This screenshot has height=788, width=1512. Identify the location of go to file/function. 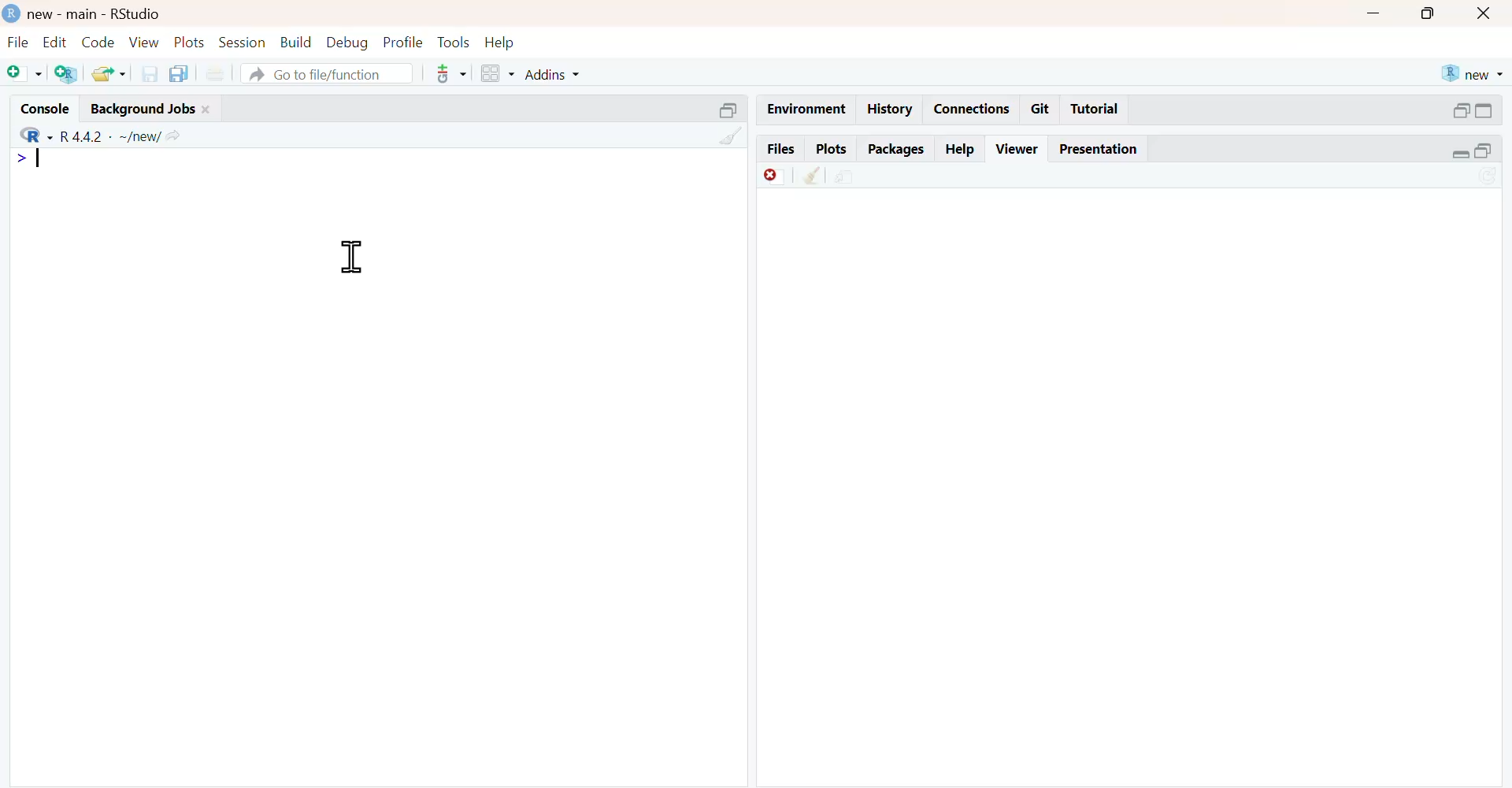
(328, 72).